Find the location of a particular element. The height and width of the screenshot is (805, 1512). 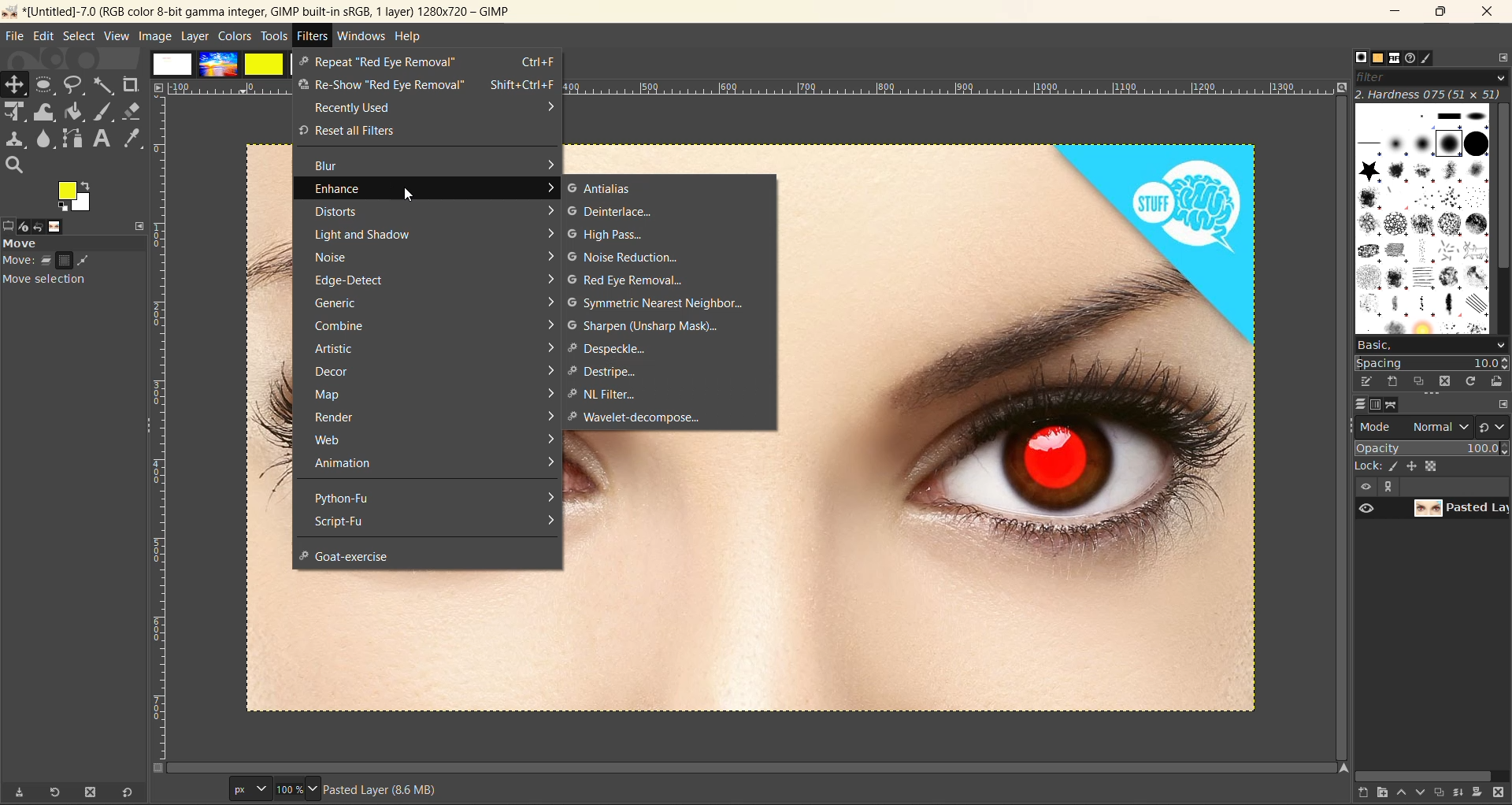

configure is located at coordinates (1503, 57).